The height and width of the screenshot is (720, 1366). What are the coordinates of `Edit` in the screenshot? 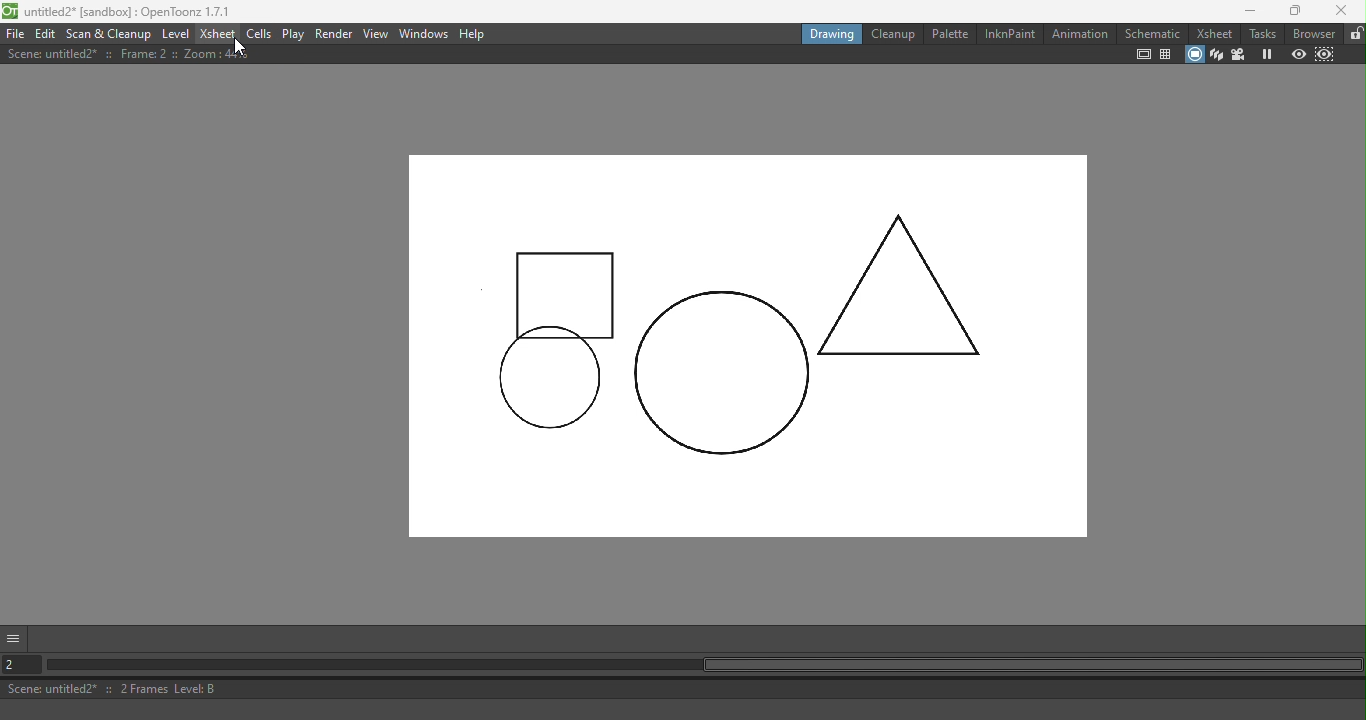 It's located at (45, 34).